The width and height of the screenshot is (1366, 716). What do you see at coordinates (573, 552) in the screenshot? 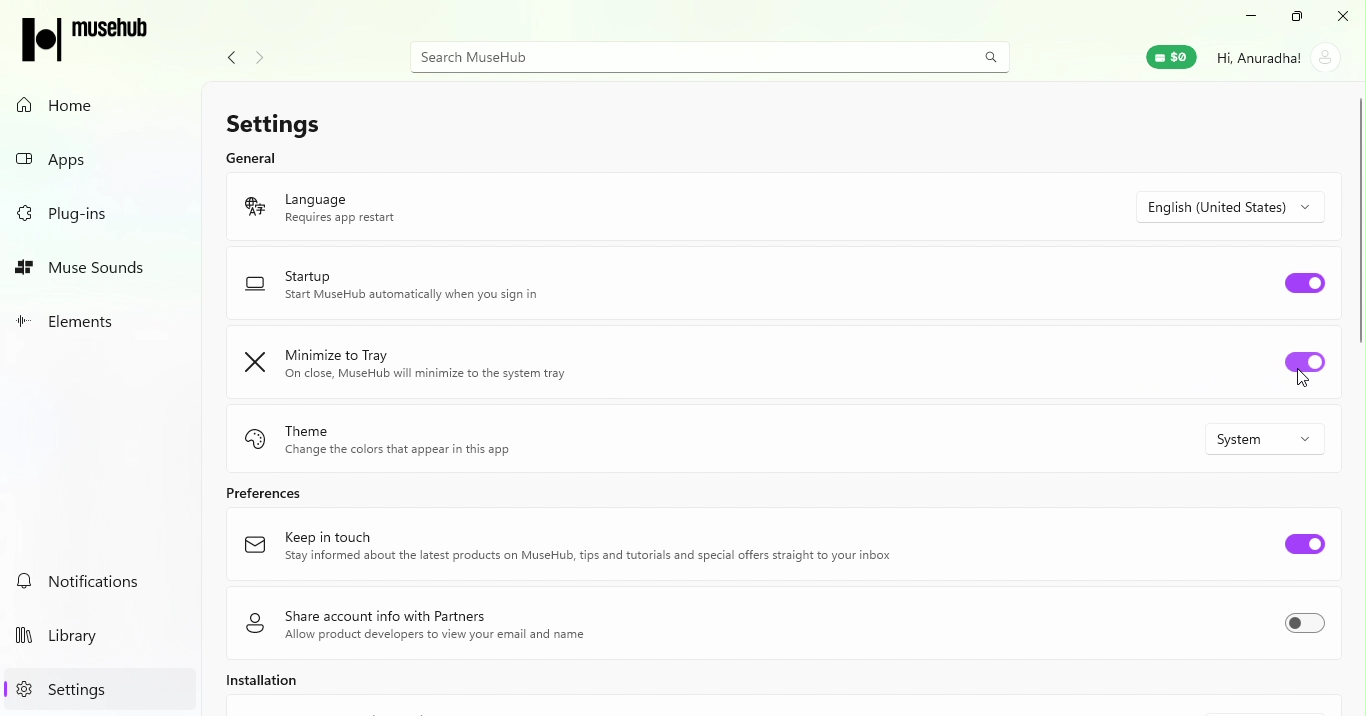
I see `Keep in touch` at bounding box center [573, 552].